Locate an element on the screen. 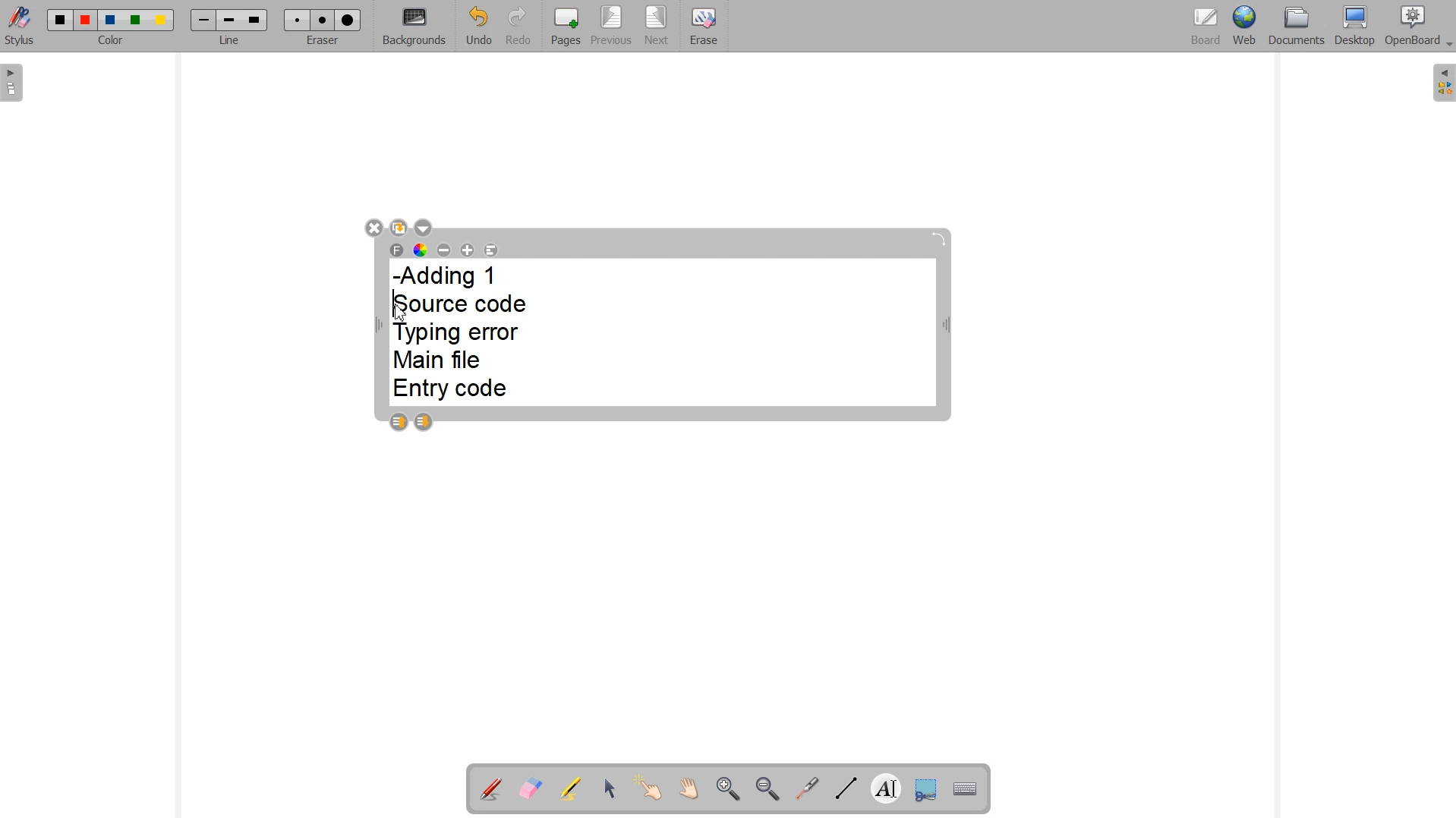  Decrease font size is located at coordinates (444, 249).